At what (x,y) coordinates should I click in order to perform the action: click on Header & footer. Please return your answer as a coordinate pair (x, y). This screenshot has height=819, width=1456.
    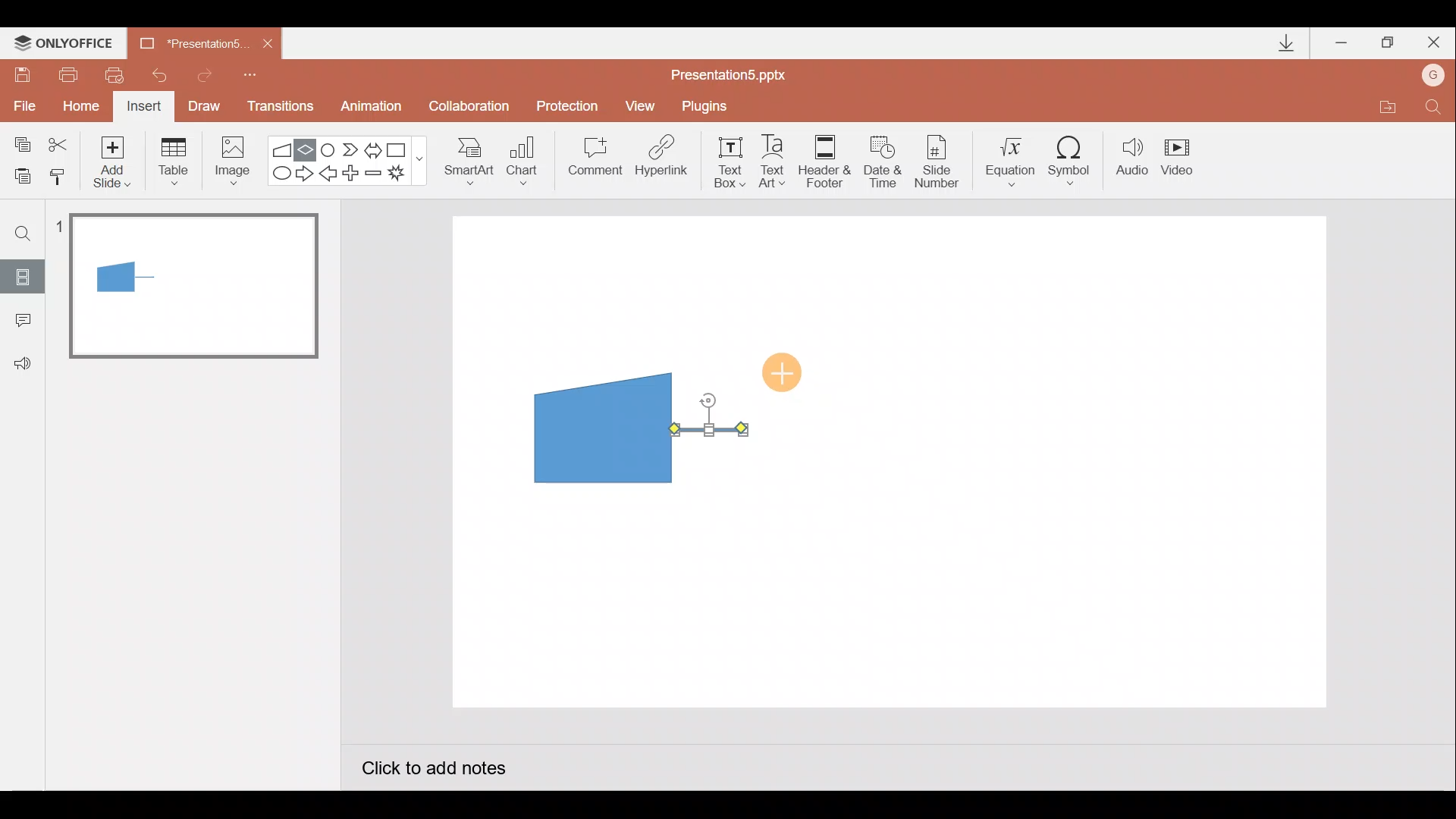
    Looking at the image, I should click on (824, 160).